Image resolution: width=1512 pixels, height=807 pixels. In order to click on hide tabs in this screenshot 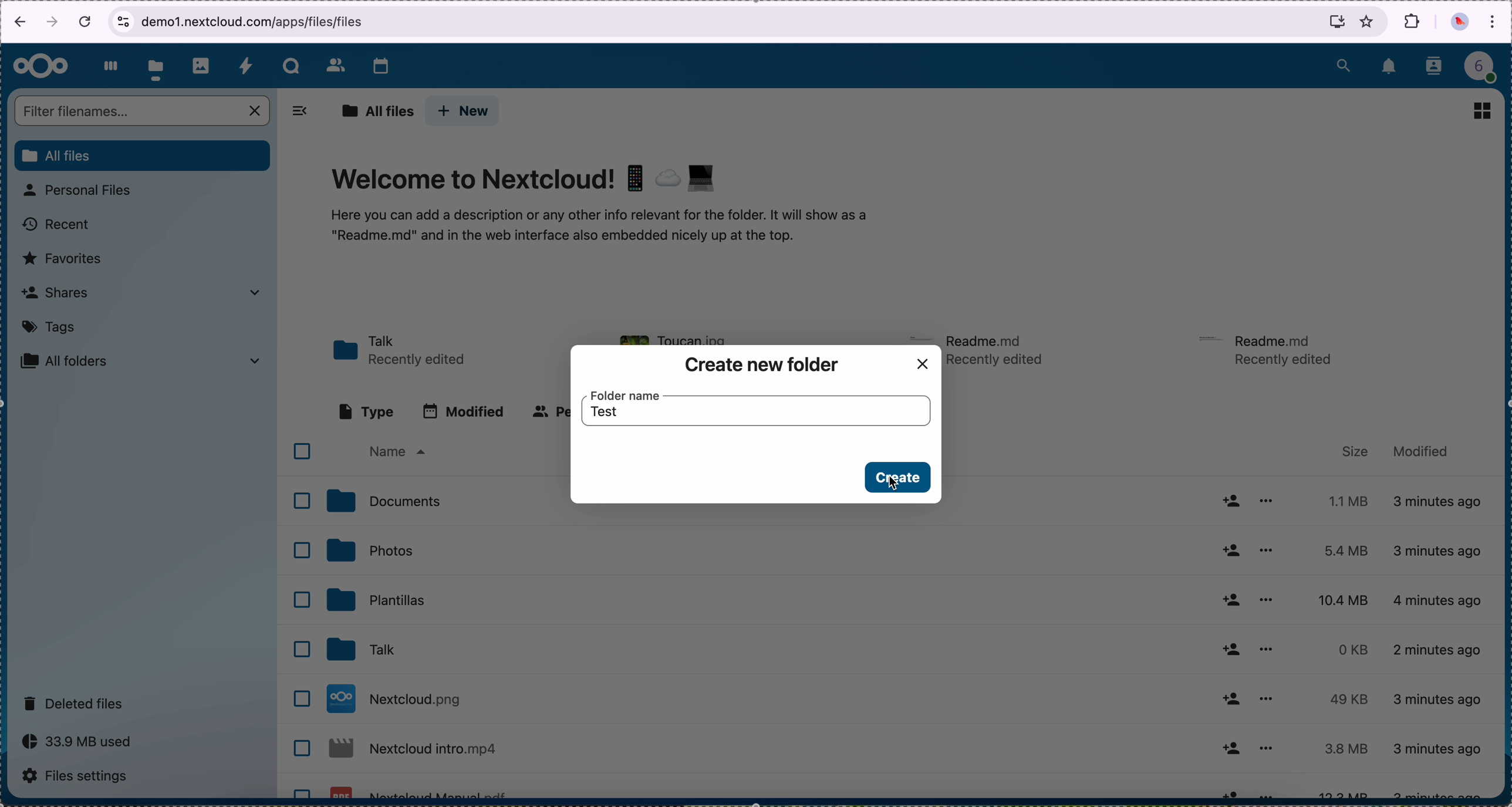, I will do `click(299, 114)`.